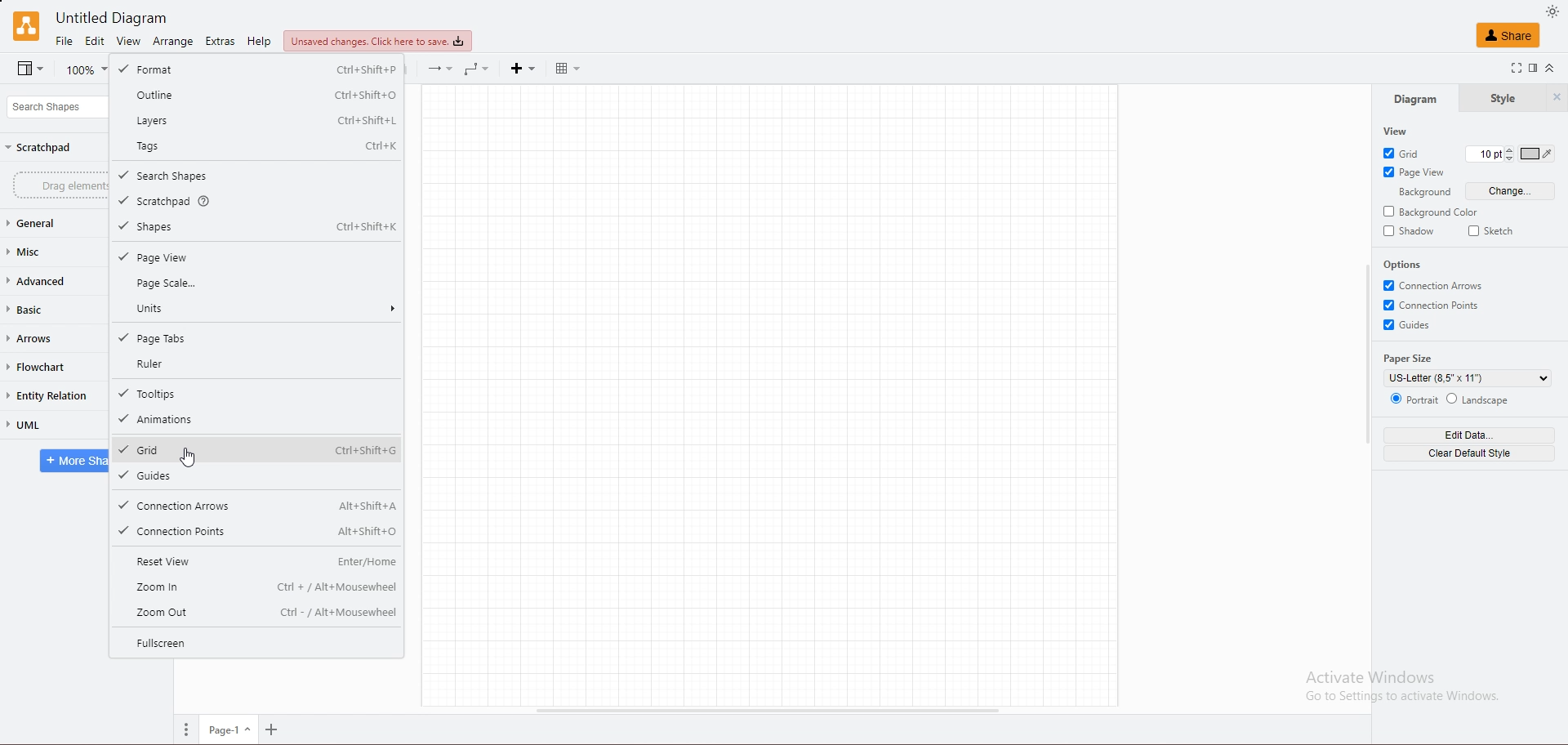  I want to click on general, so click(51, 223).